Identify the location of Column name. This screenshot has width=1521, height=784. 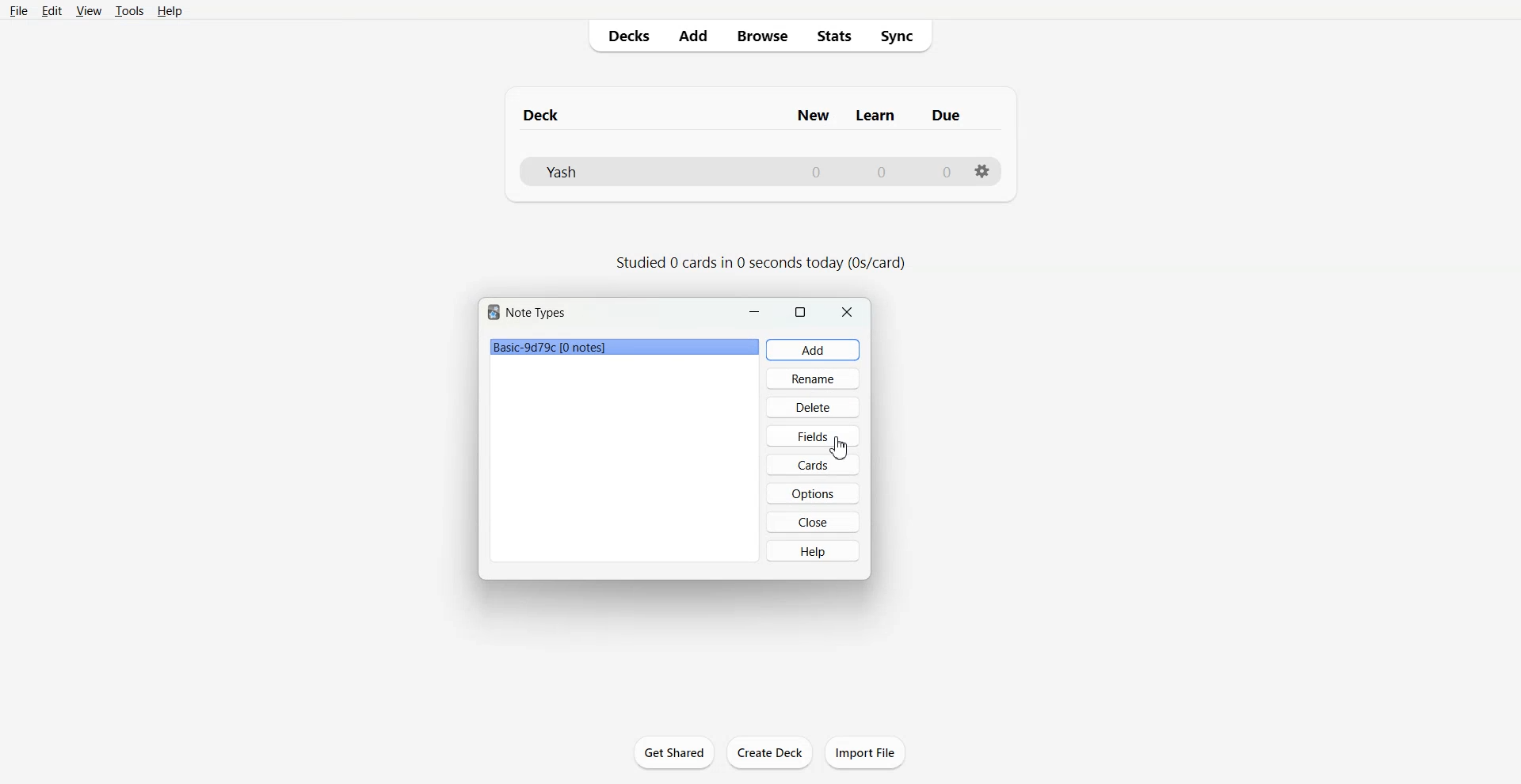
(875, 116).